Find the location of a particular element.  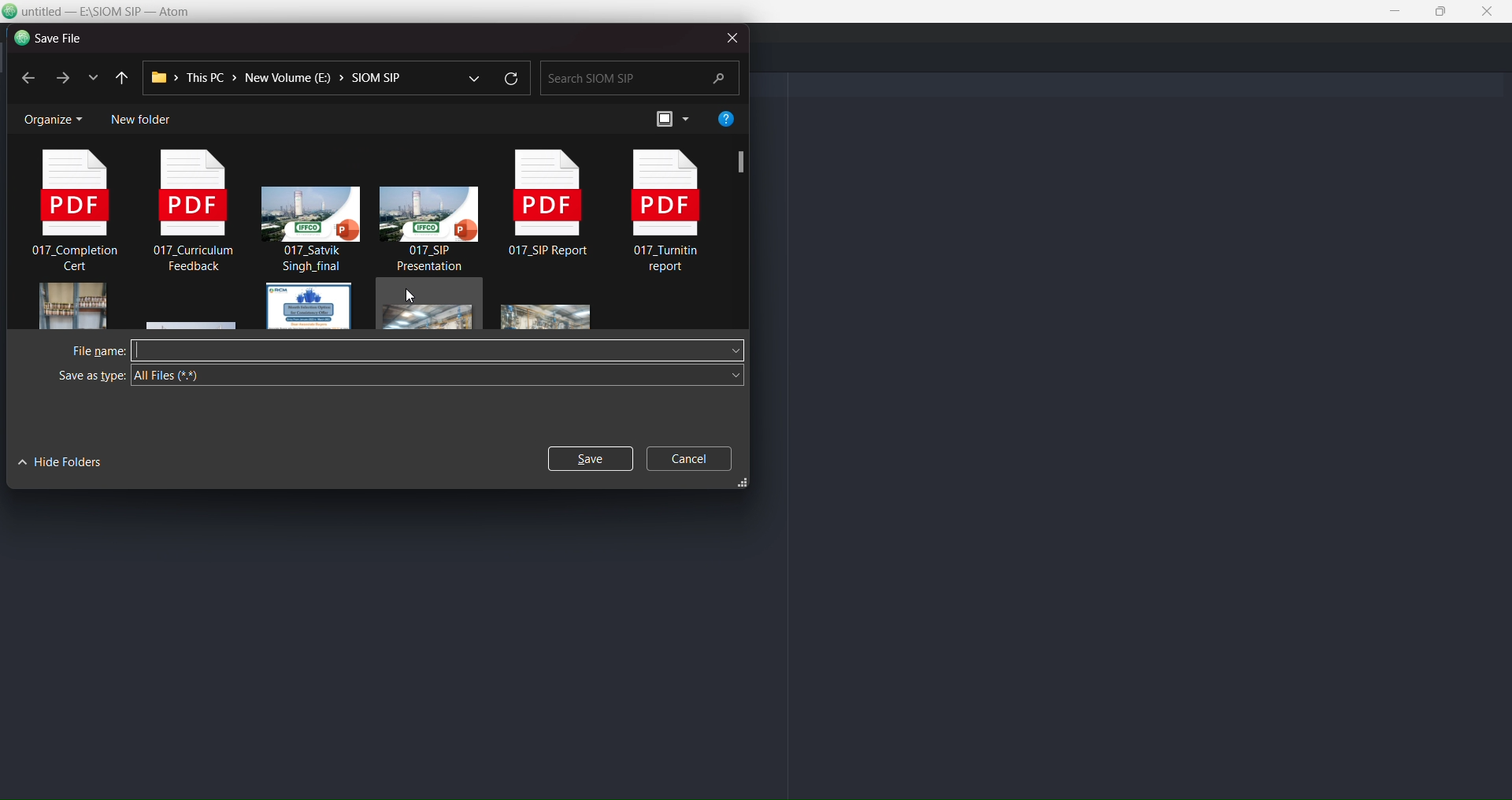

presentation is located at coordinates (426, 228).